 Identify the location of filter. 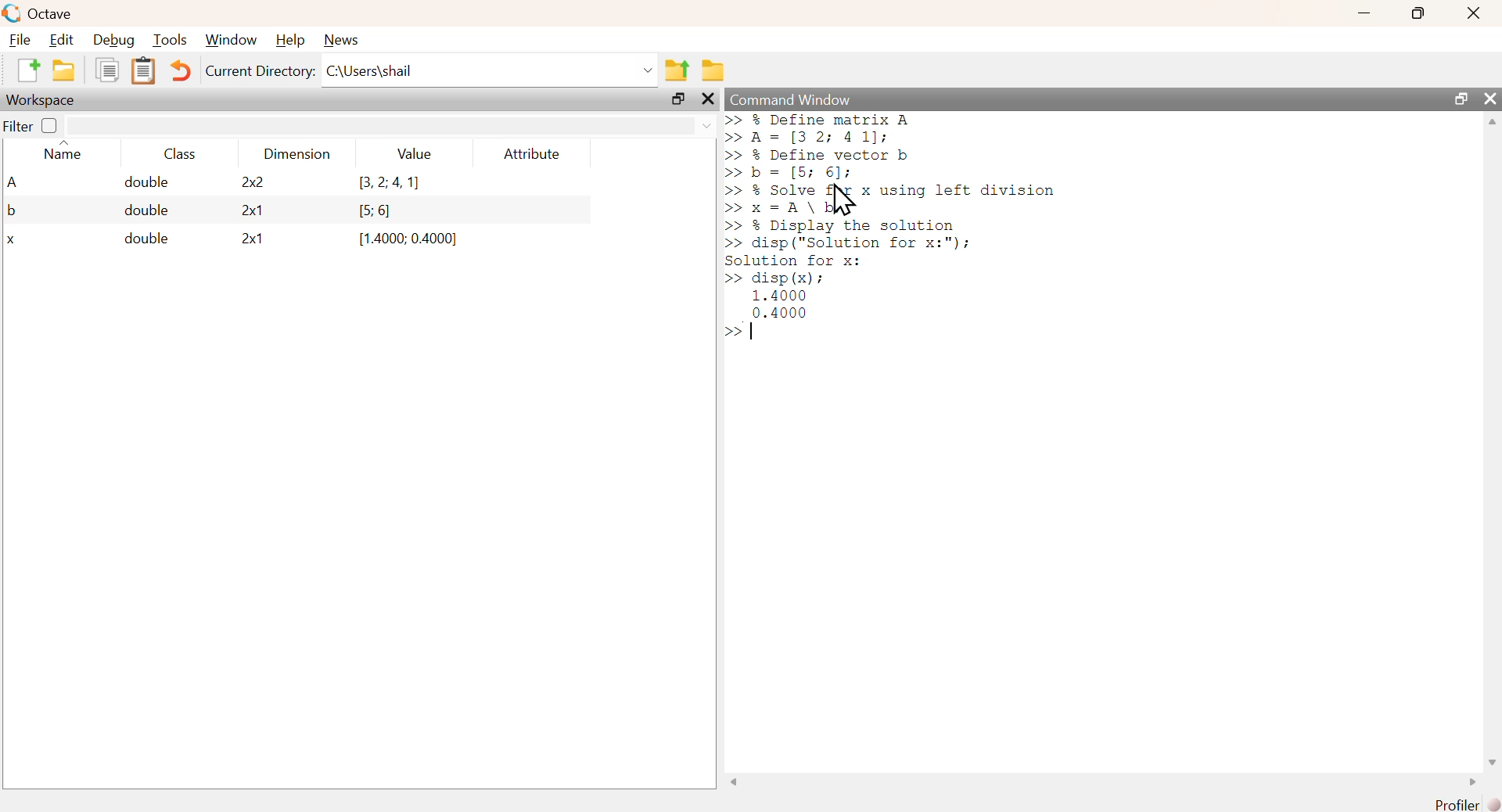
(18, 127).